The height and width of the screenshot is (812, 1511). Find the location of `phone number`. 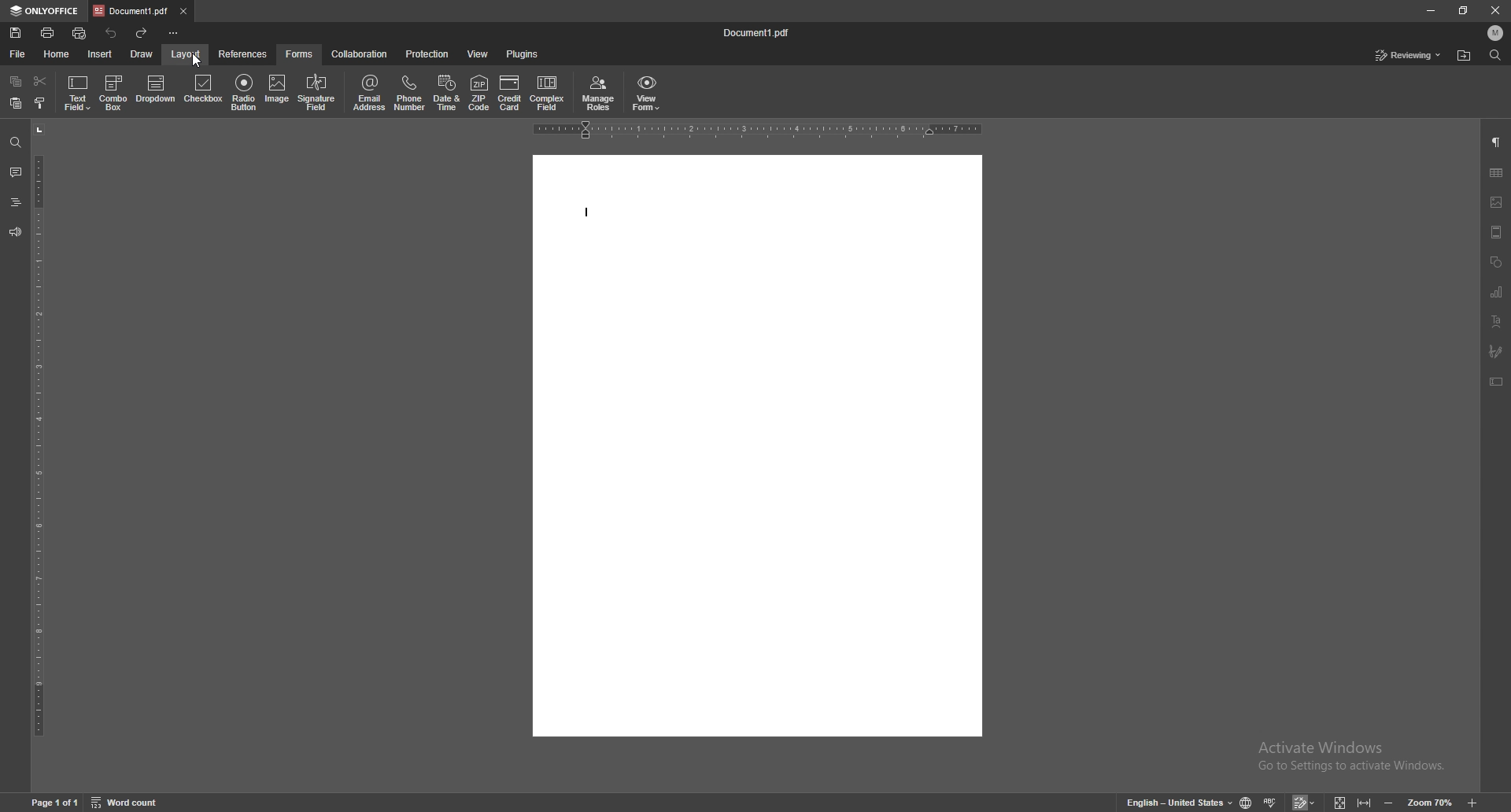

phone number is located at coordinates (410, 93).